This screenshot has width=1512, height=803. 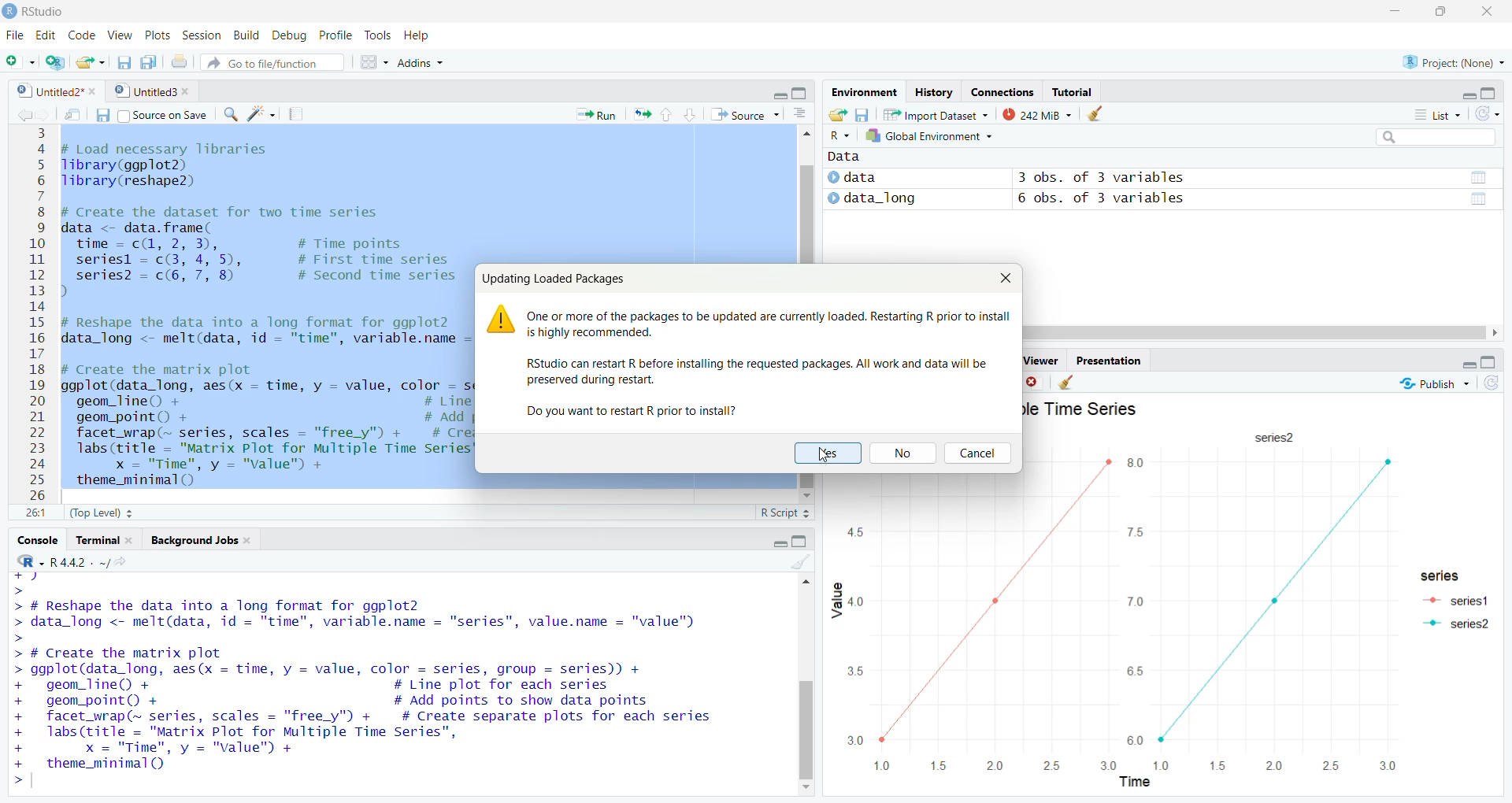 What do you see at coordinates (372, 62) in the screenshot?
I see `works space panes` at bounding box center [372, 62].